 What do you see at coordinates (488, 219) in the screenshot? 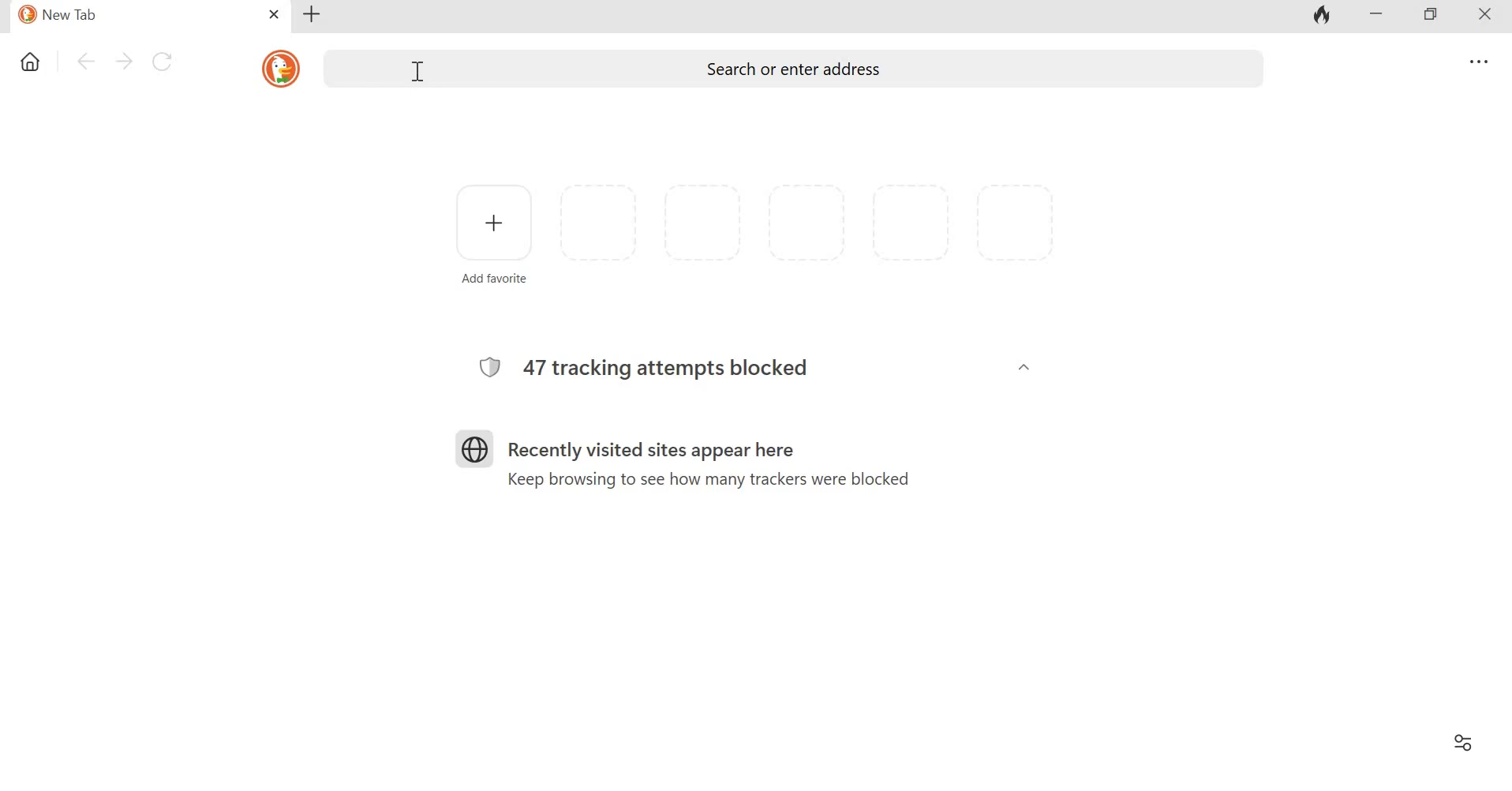
I see `Add favorite` at bounding box center [488, 219].